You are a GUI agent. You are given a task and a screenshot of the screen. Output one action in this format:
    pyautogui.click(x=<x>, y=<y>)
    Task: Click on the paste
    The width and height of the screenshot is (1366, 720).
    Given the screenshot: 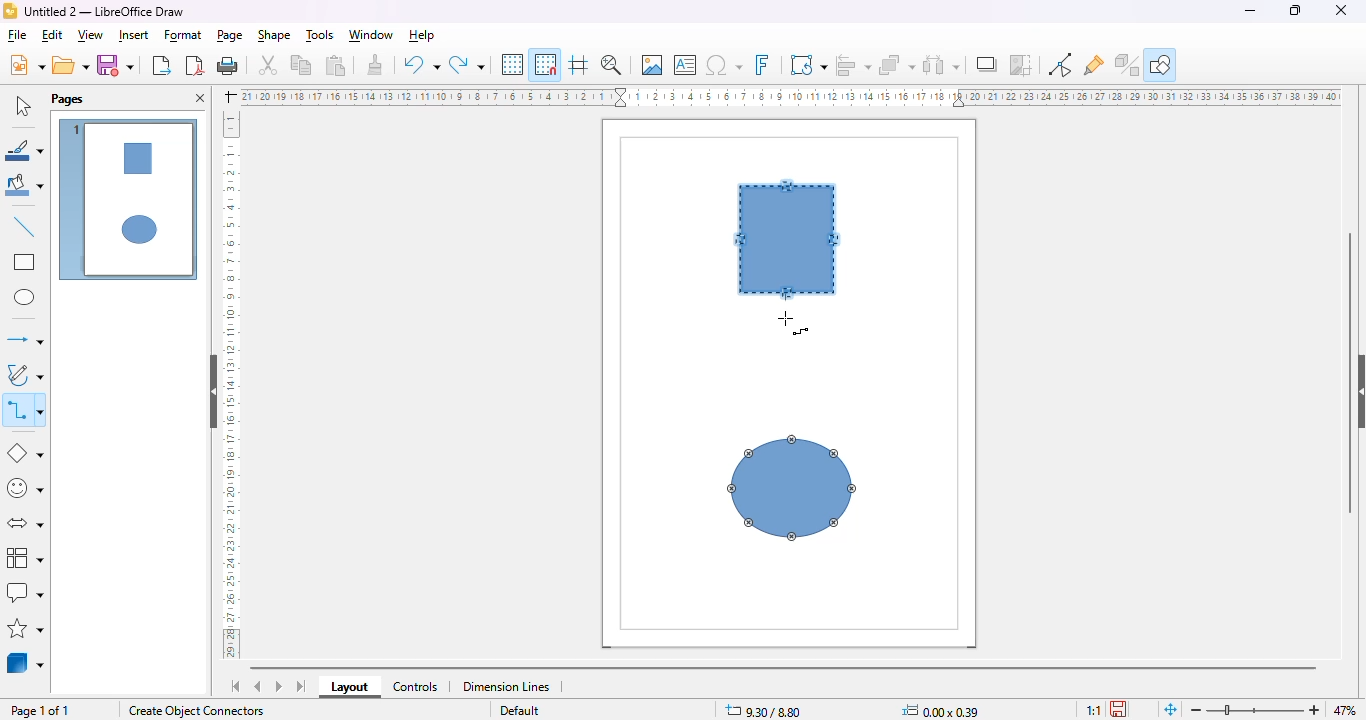 What is the action you would take?
    pyautogui.click(x=336, y=65)
    